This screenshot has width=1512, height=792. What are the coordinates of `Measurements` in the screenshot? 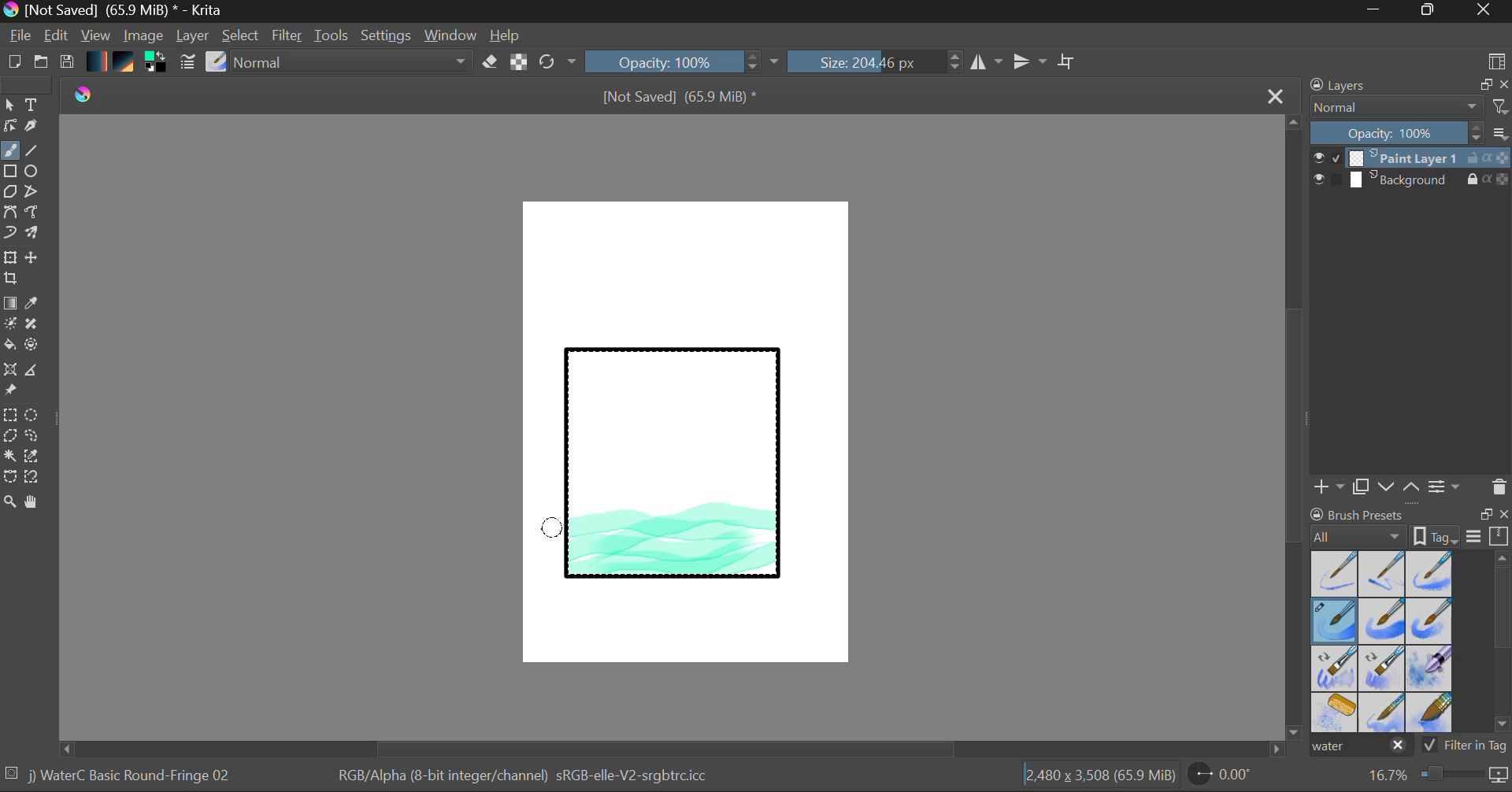 It's located at (34, 372).